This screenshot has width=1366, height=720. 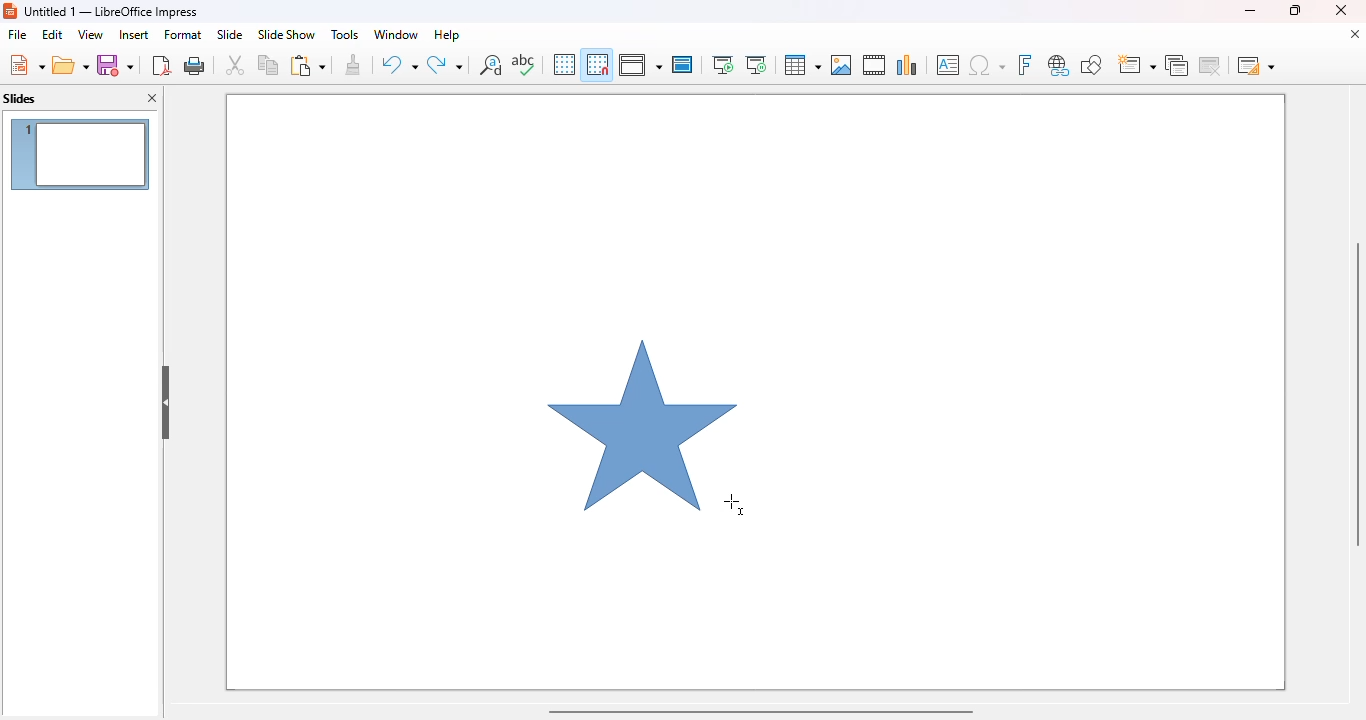 I want to click on redo, so click(x=445, y=65).